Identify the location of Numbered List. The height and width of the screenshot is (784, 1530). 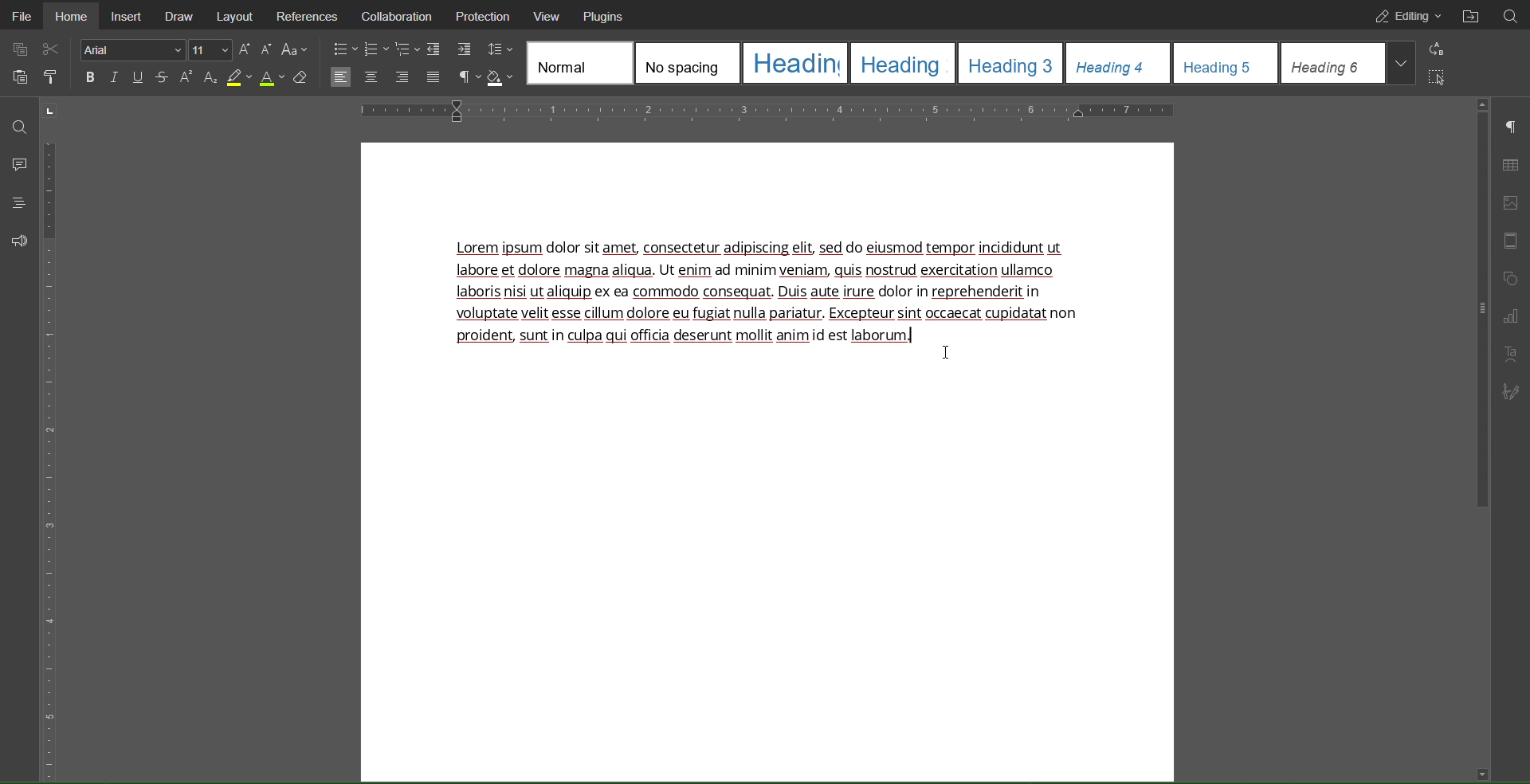
(377, 49).